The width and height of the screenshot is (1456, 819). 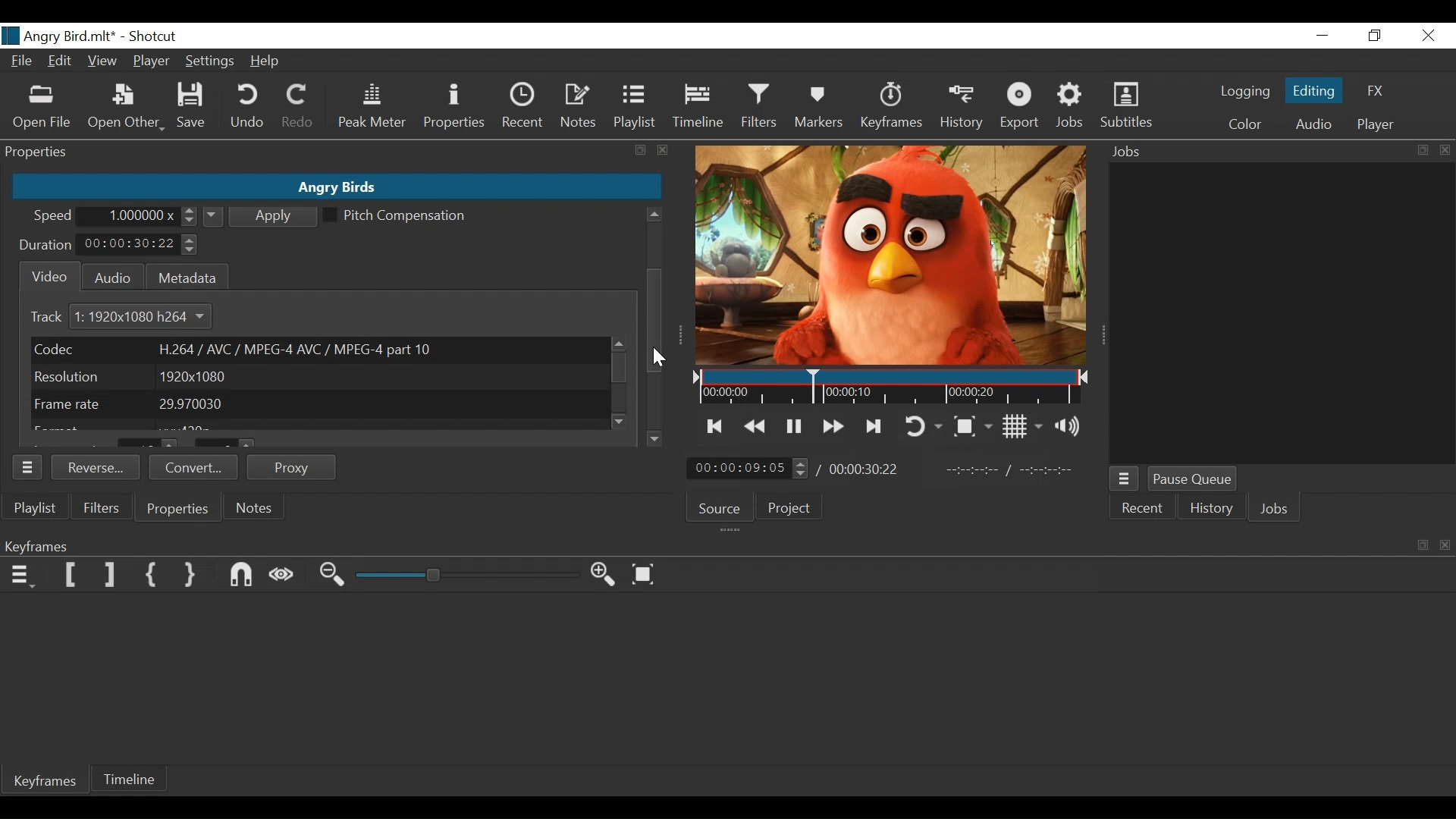 What do you see at coordinates (715, 427) in the screenshot?
I see `Skip to the previous point` at bounding box center [715, 427].